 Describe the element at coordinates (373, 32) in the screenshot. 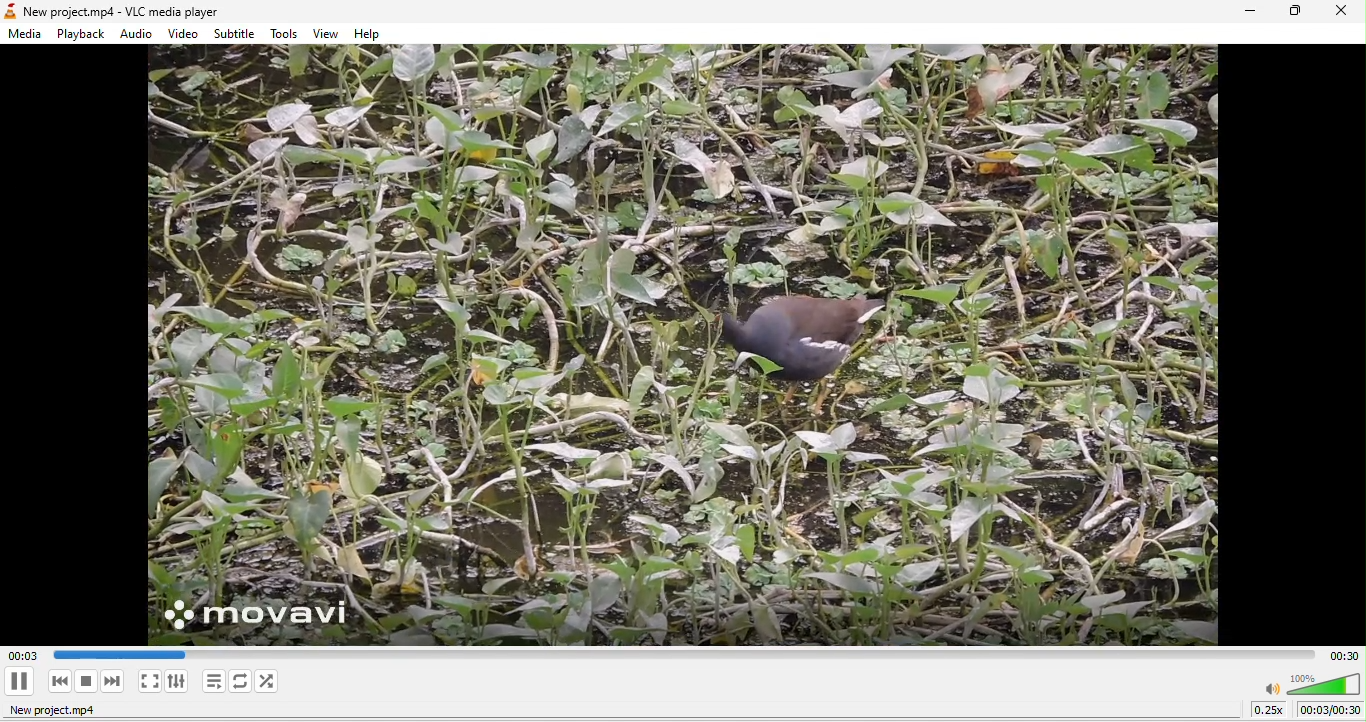

I see `help` at that location.